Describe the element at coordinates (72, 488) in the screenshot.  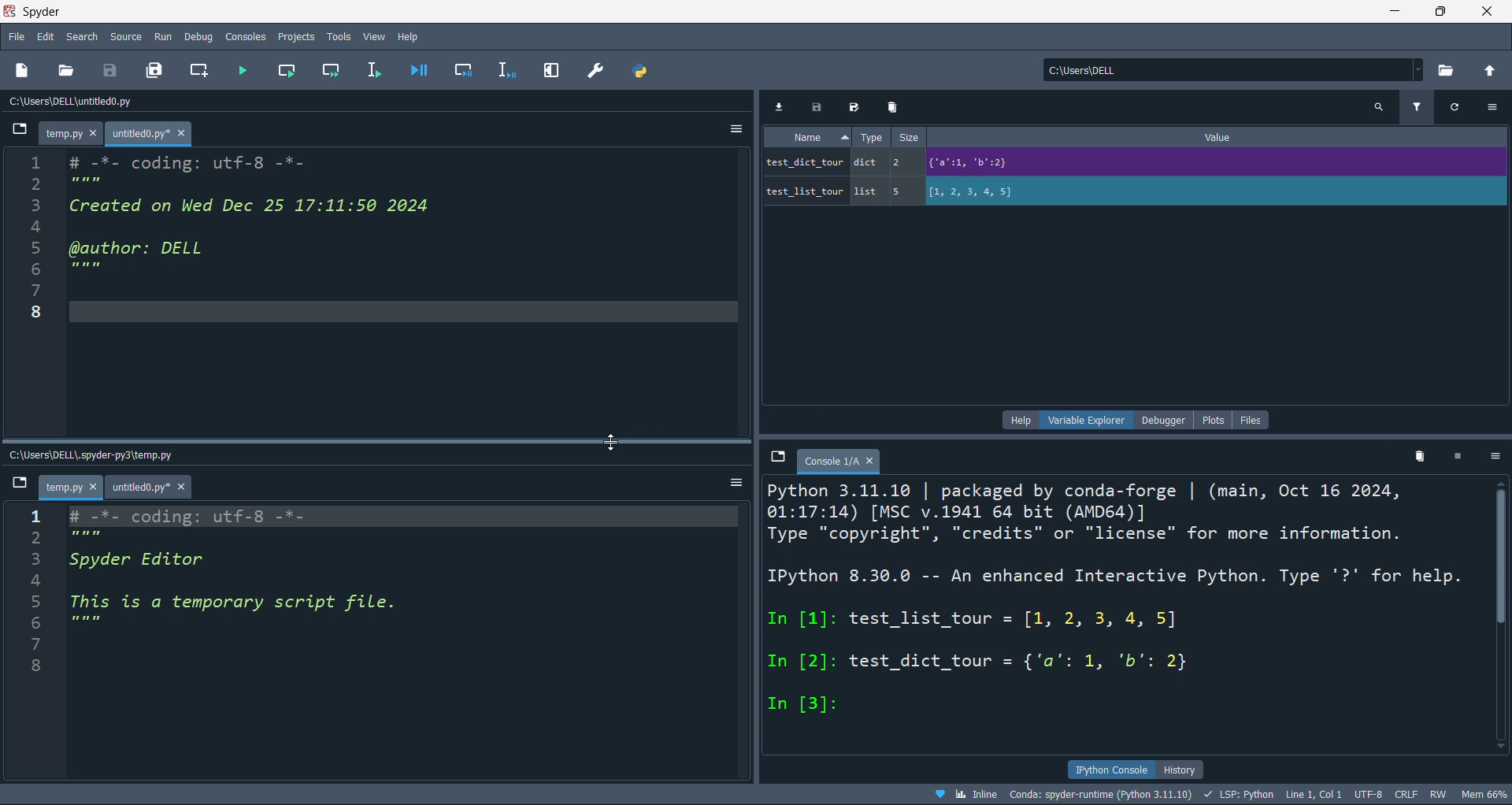
I see `~ temppy ` at that location.